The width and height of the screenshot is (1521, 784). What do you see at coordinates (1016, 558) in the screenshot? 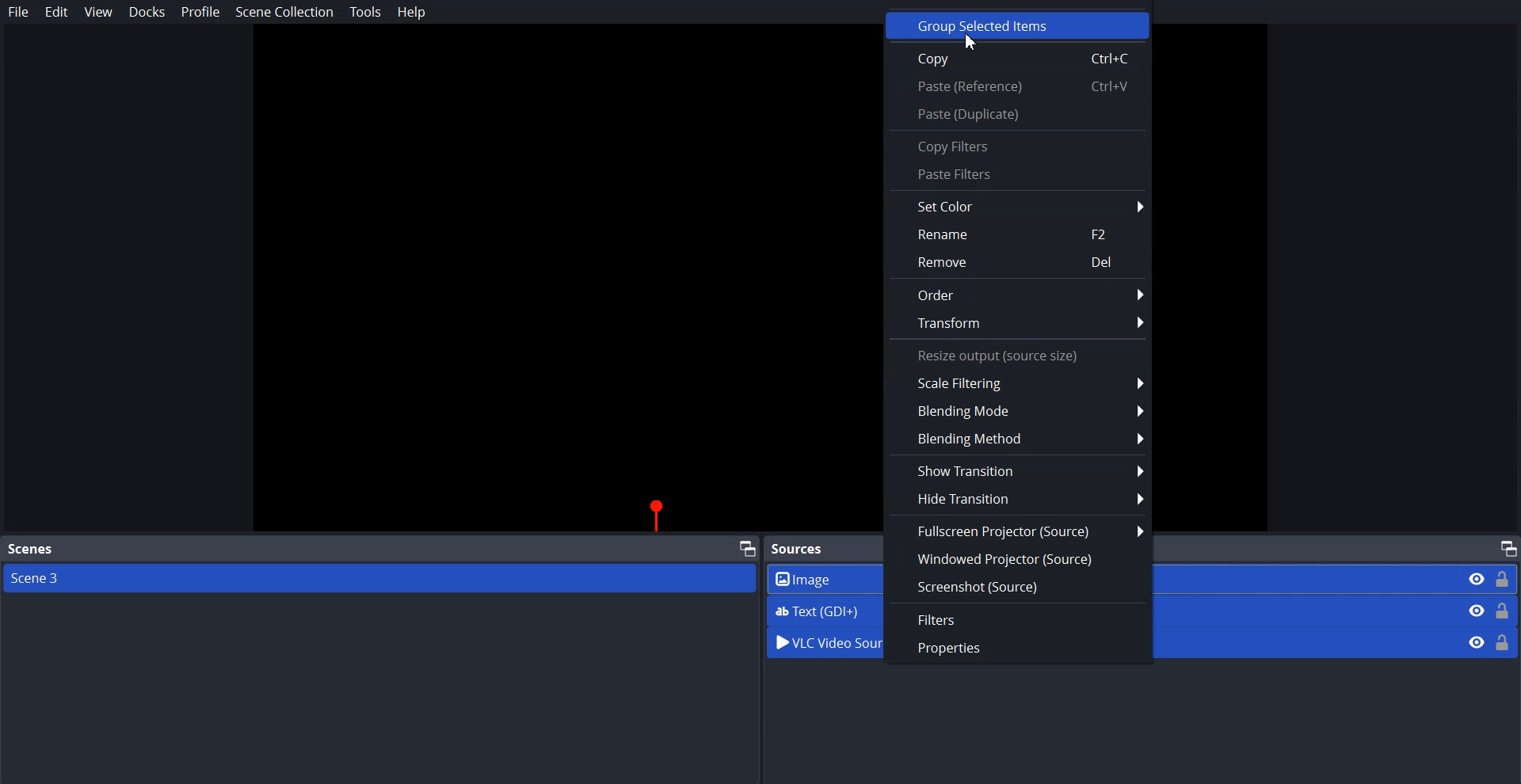
I see `Windowed Project` at bounding box center [1016, 558].